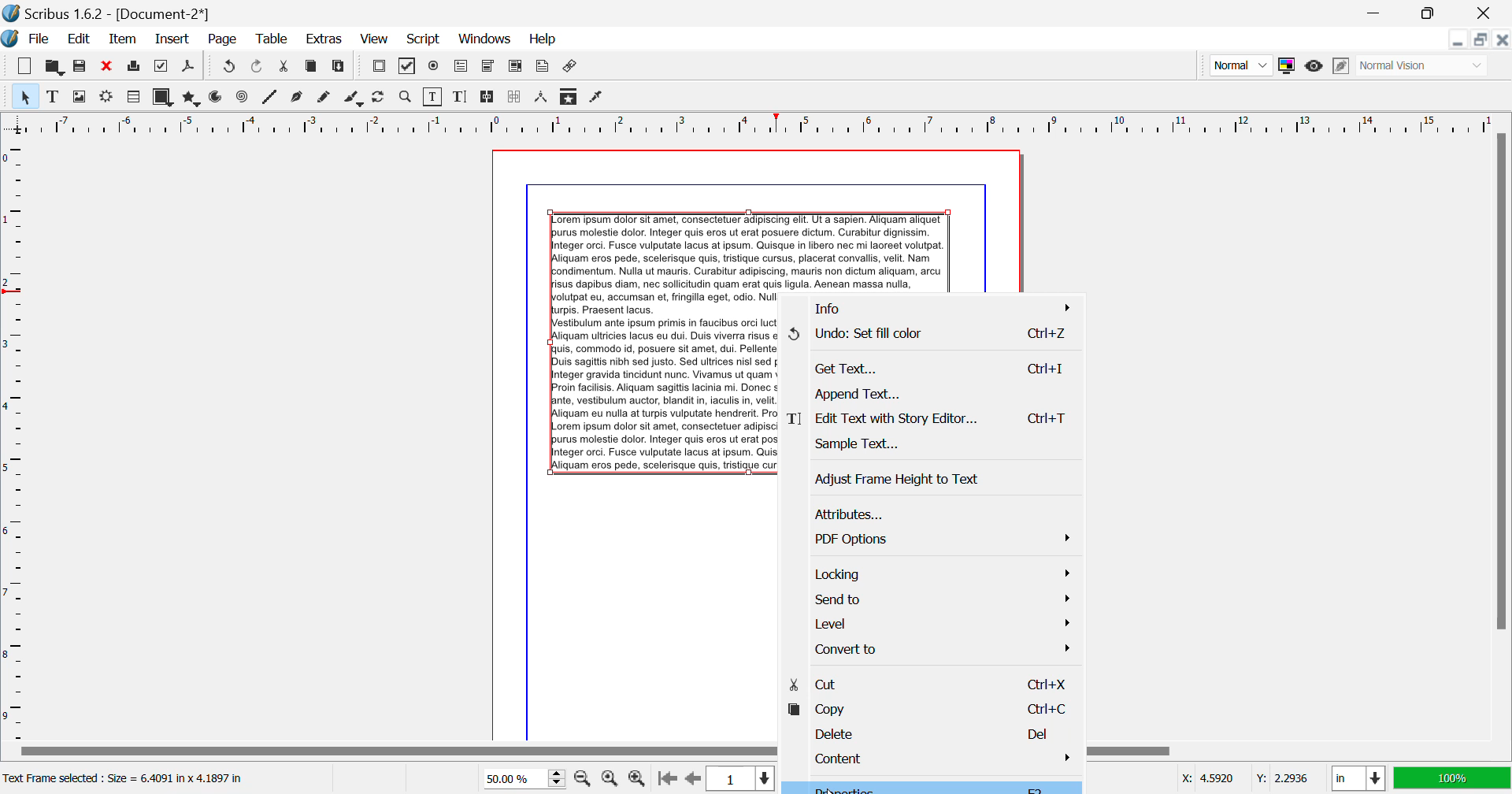  I want to click on Adjust Frame Height to Text, so click(932, 478).